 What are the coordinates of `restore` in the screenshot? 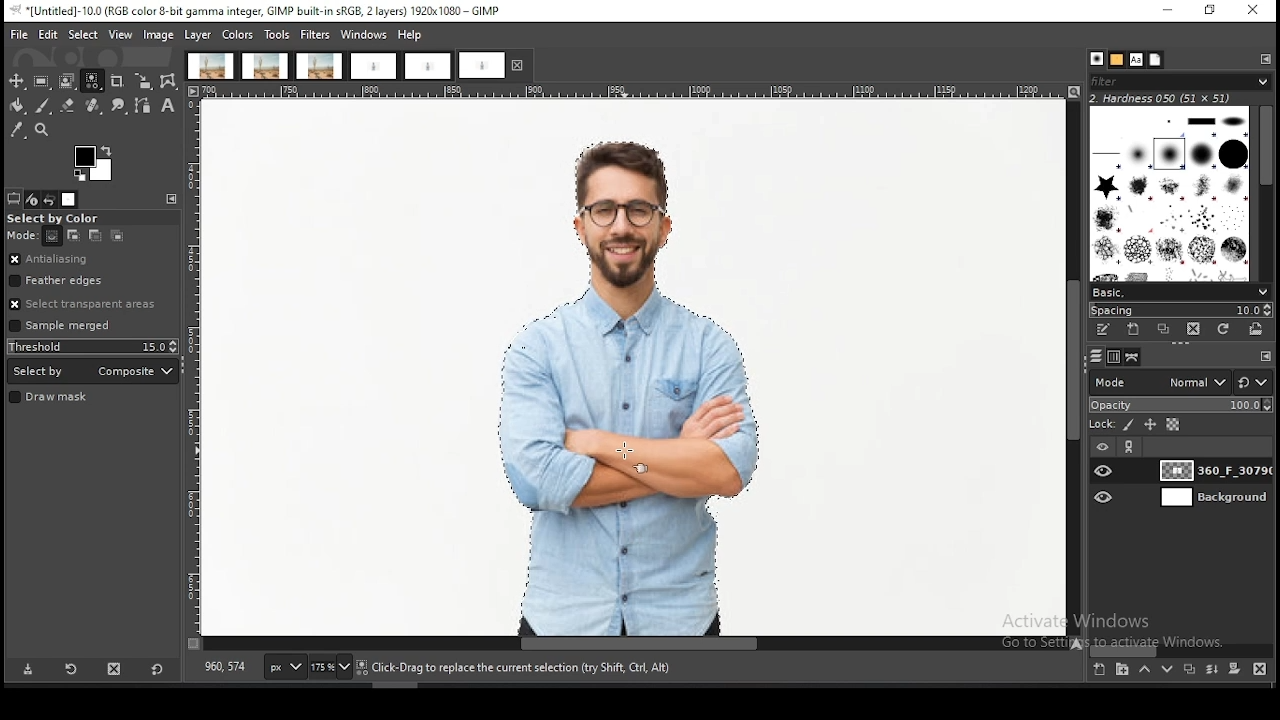 It's located at (1212, 12).